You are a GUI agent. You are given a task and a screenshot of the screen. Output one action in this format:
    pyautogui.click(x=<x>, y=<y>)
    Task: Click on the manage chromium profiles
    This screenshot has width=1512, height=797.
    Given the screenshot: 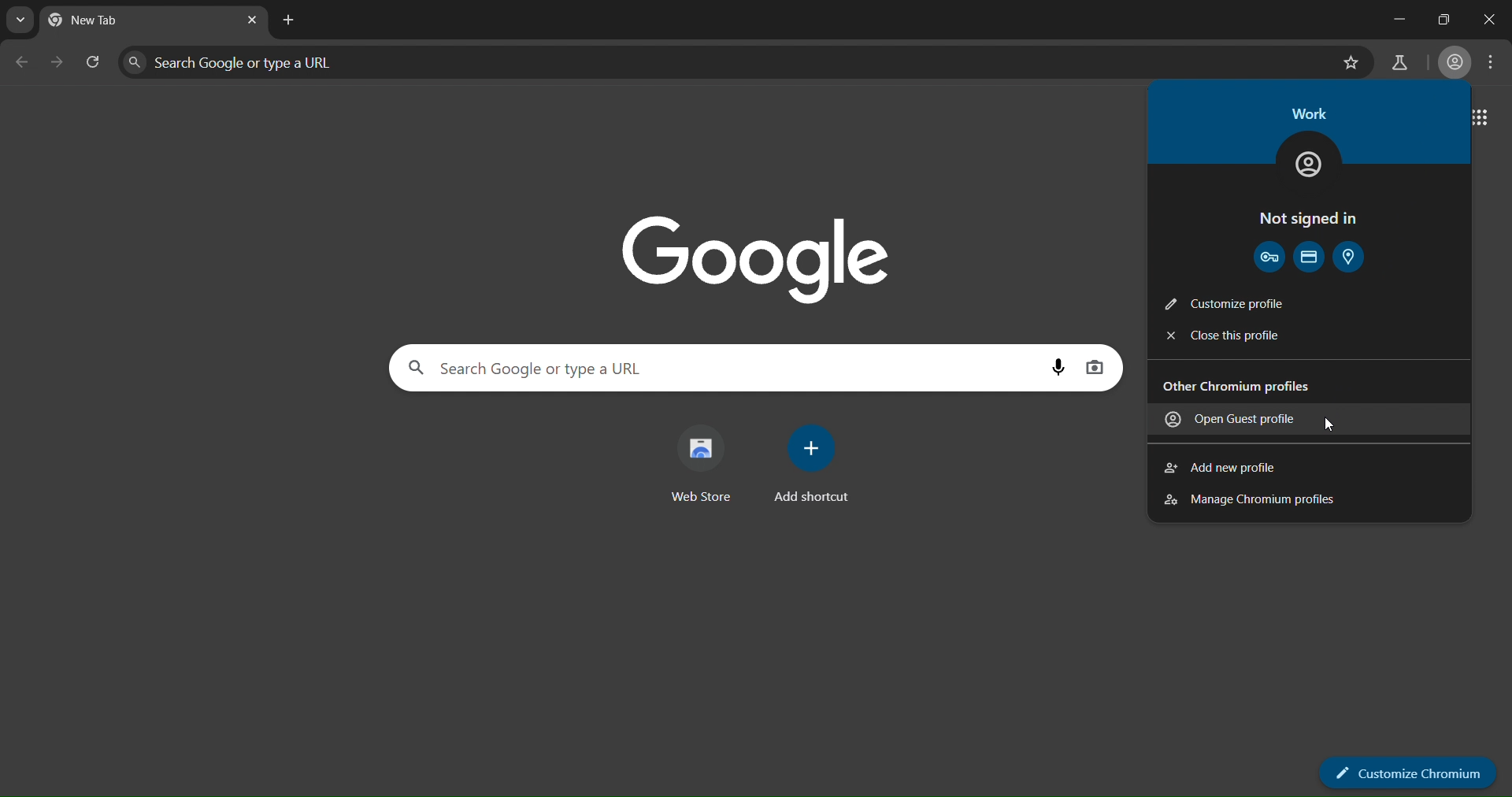 What is the action you would take?
    pyautogui.click(x=1253, y=502)
    